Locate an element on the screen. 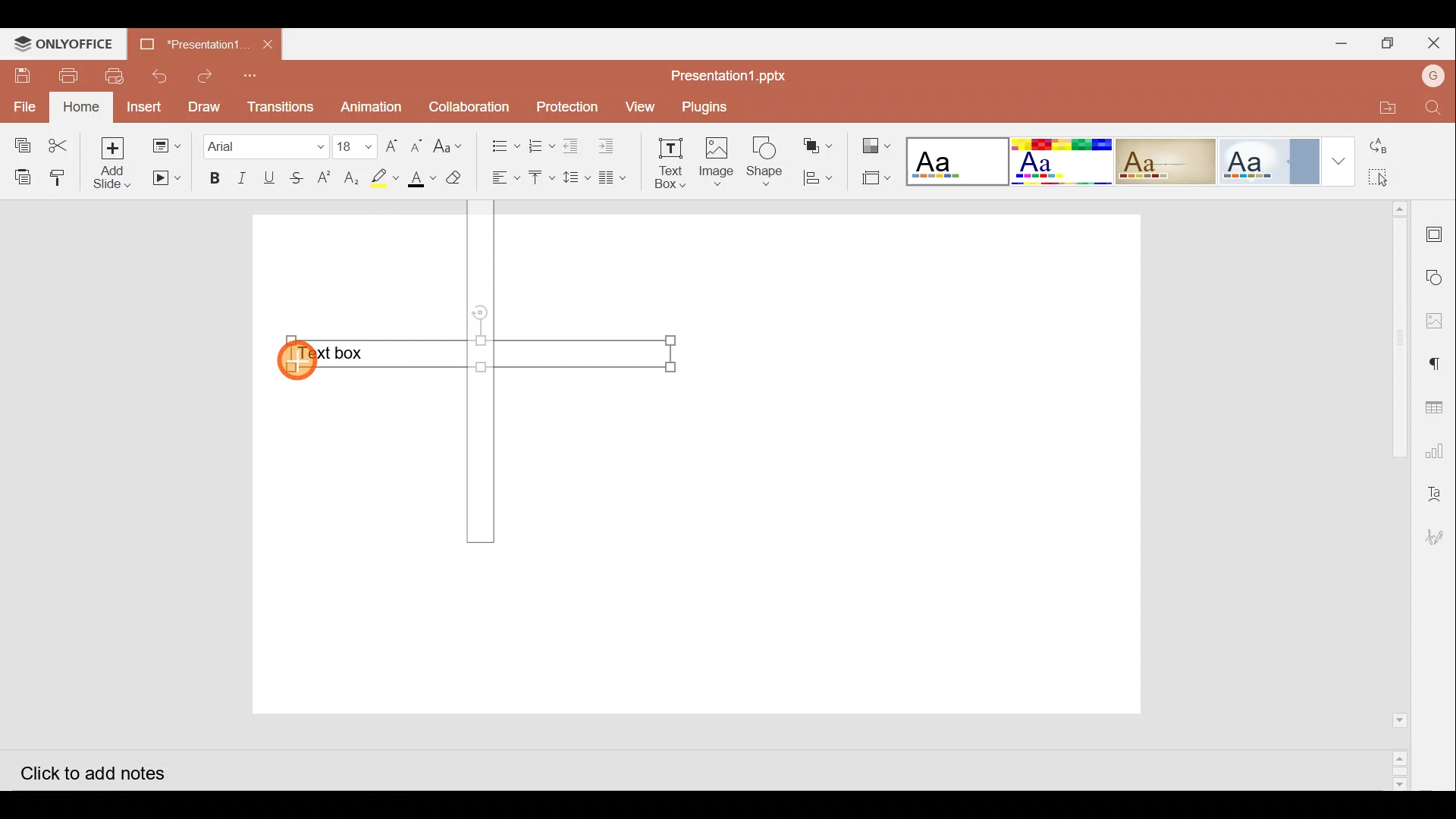 This screenshot has width=1456, height=819. Text Art settings is located at coordinates (1437, 492).